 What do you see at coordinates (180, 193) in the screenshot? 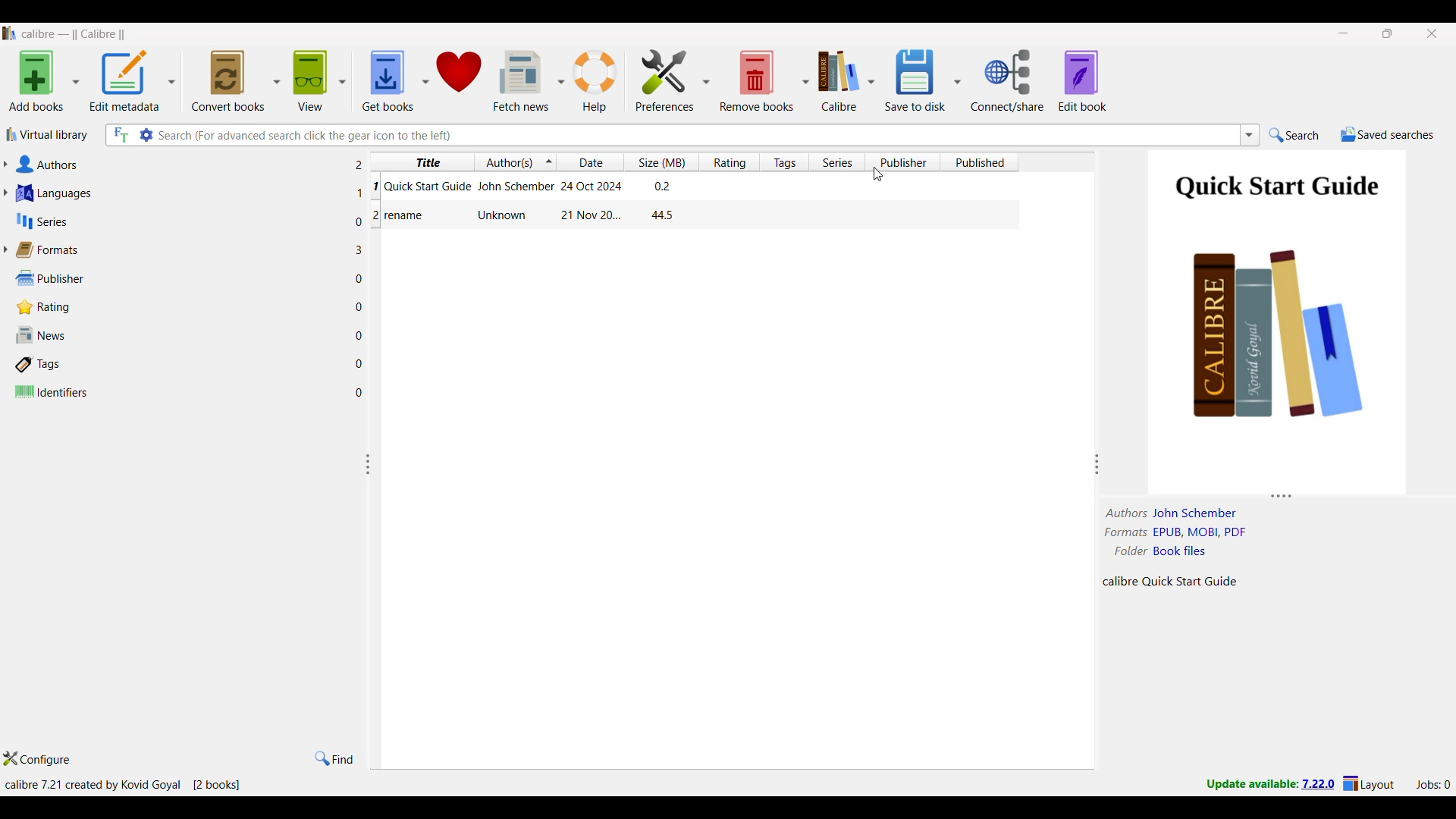
I see `Languages` at bounding box center [180, 193].